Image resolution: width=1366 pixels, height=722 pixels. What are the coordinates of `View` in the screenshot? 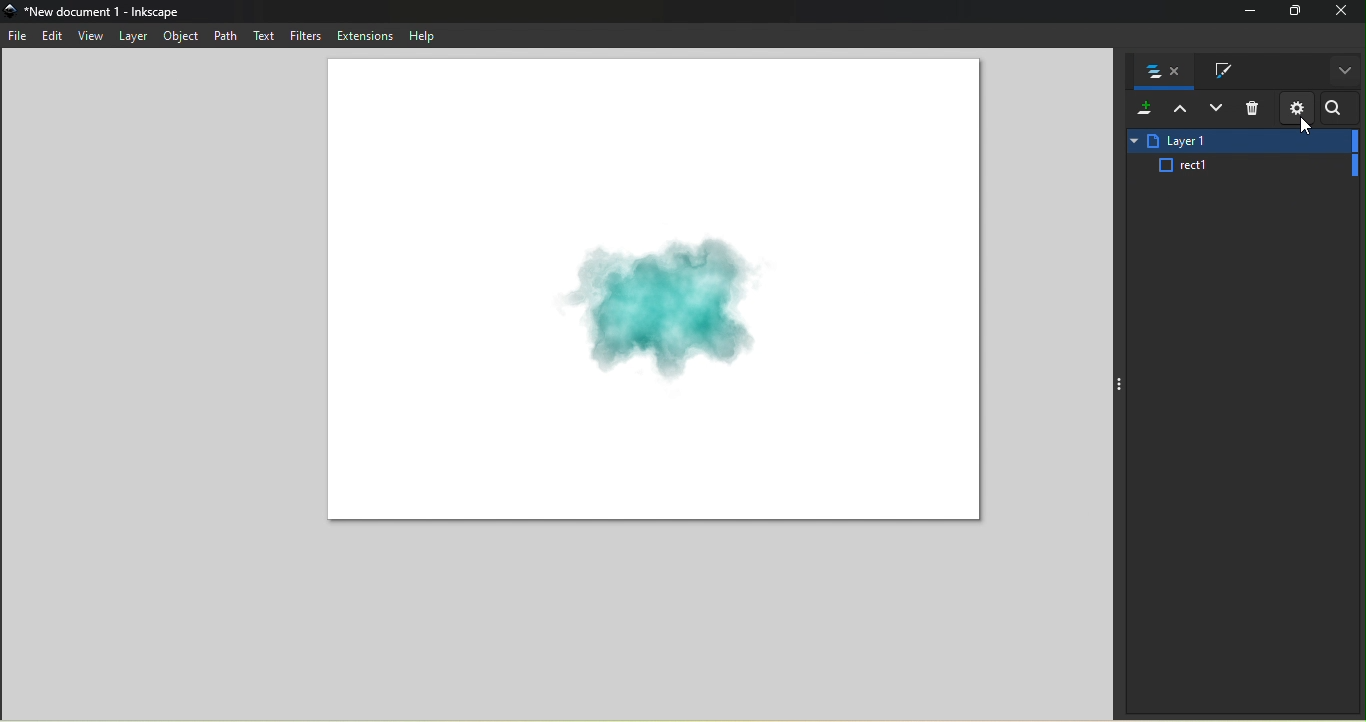 It's located at (90, 35).